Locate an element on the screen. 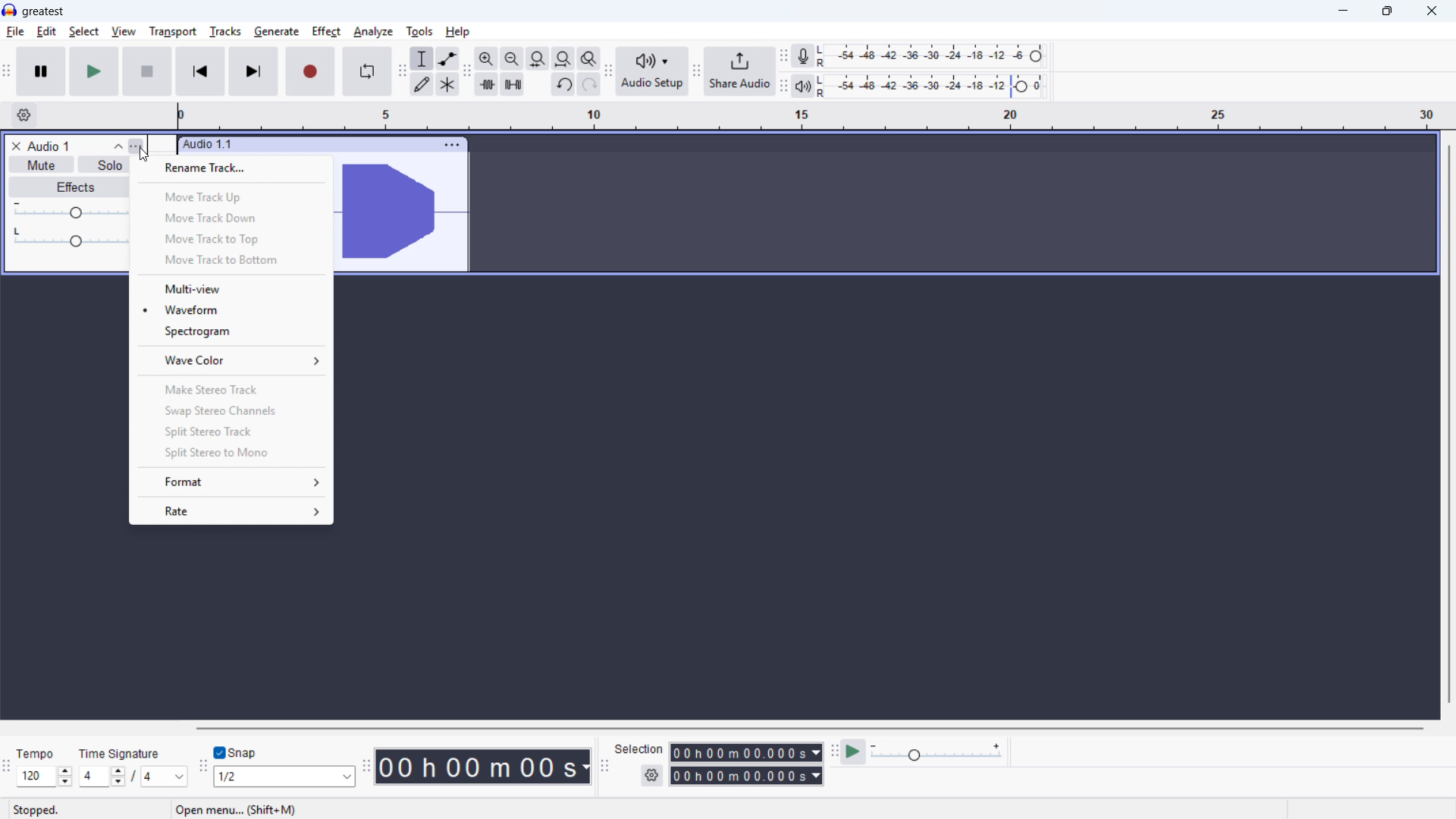  recording meter is located at coordinates (802, 56).